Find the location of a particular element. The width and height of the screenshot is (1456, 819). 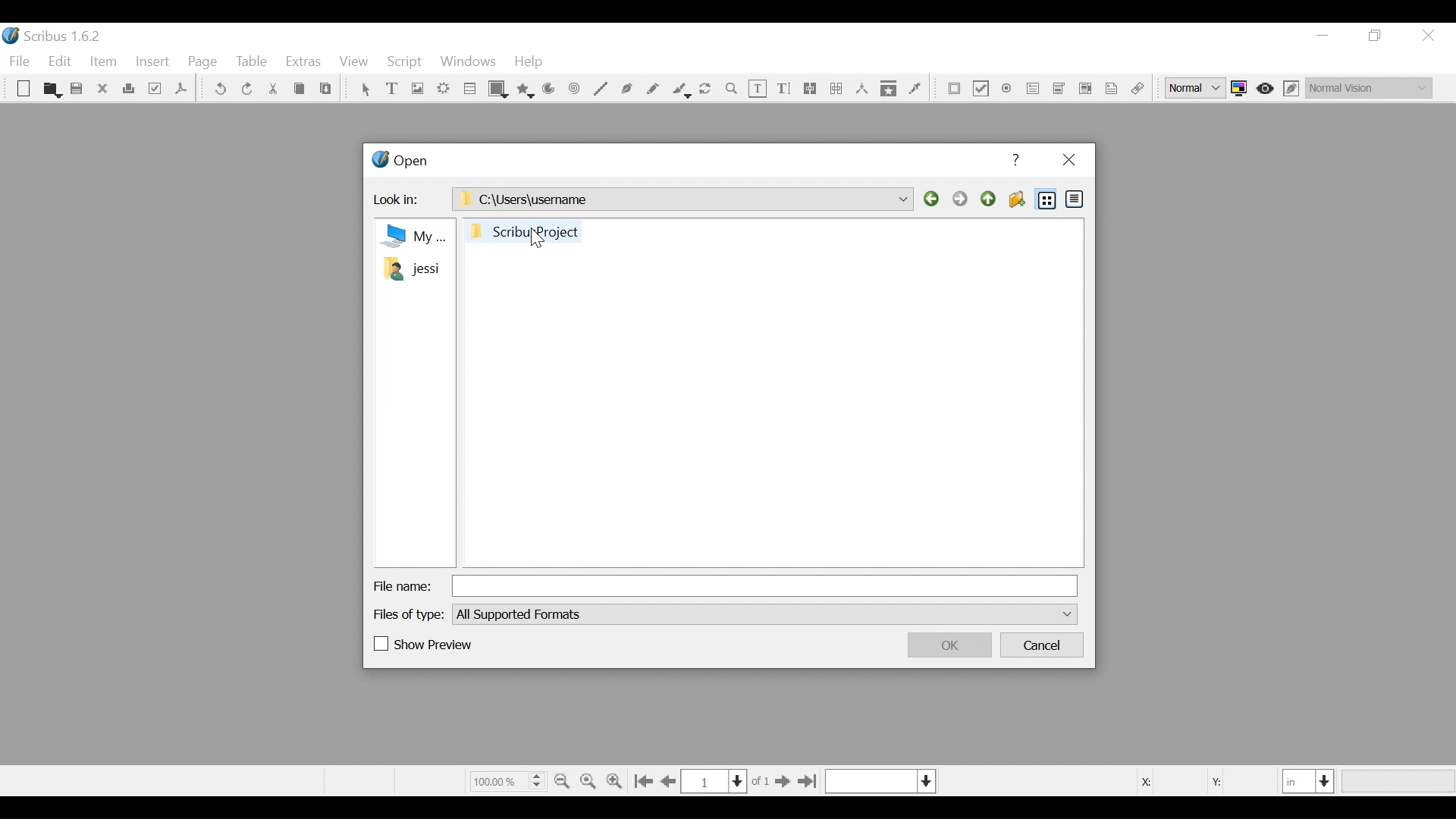

New is located at coordinates (24, 90).